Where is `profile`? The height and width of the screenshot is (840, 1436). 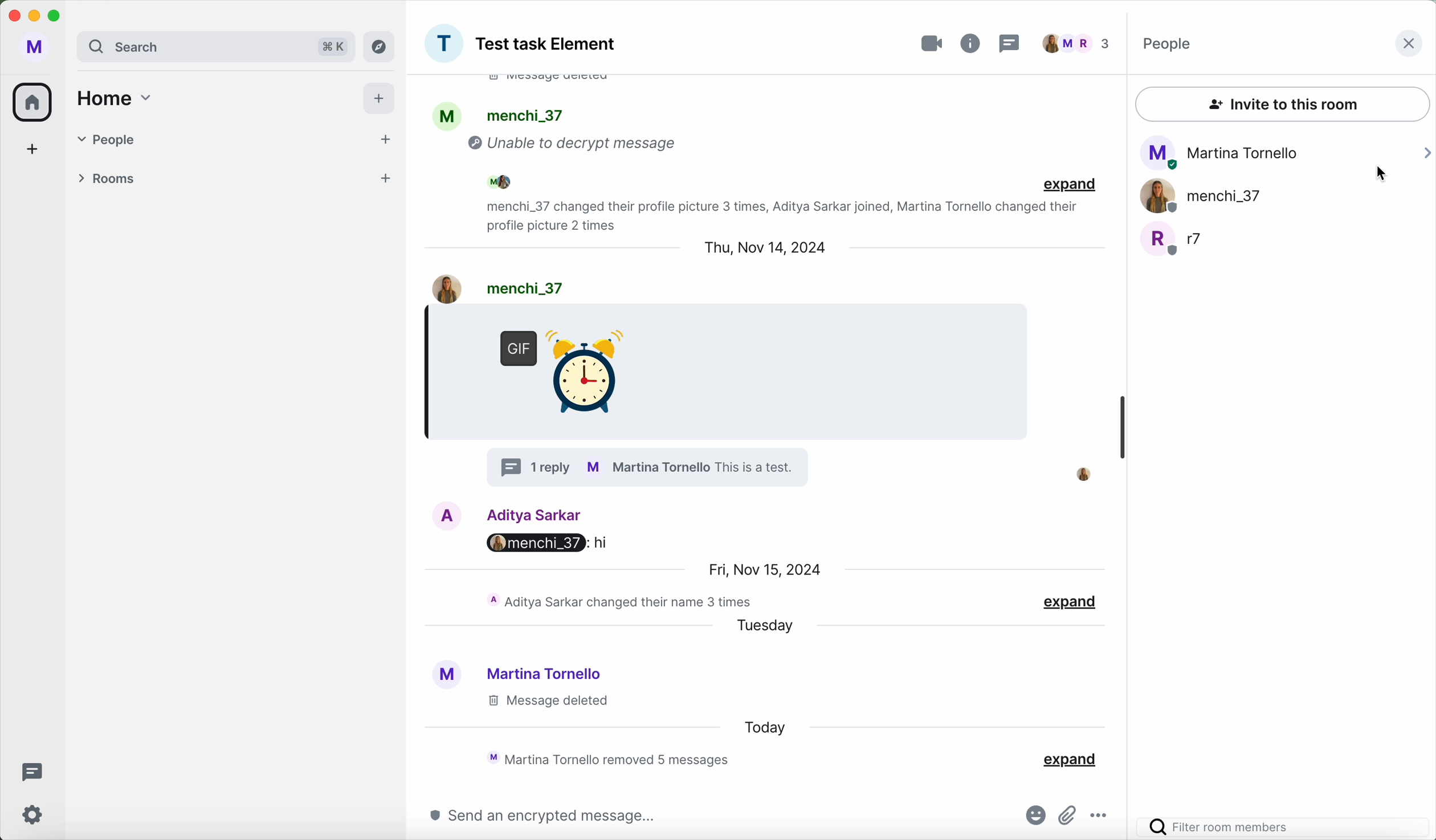
profile is located at coordinates (647, 467).